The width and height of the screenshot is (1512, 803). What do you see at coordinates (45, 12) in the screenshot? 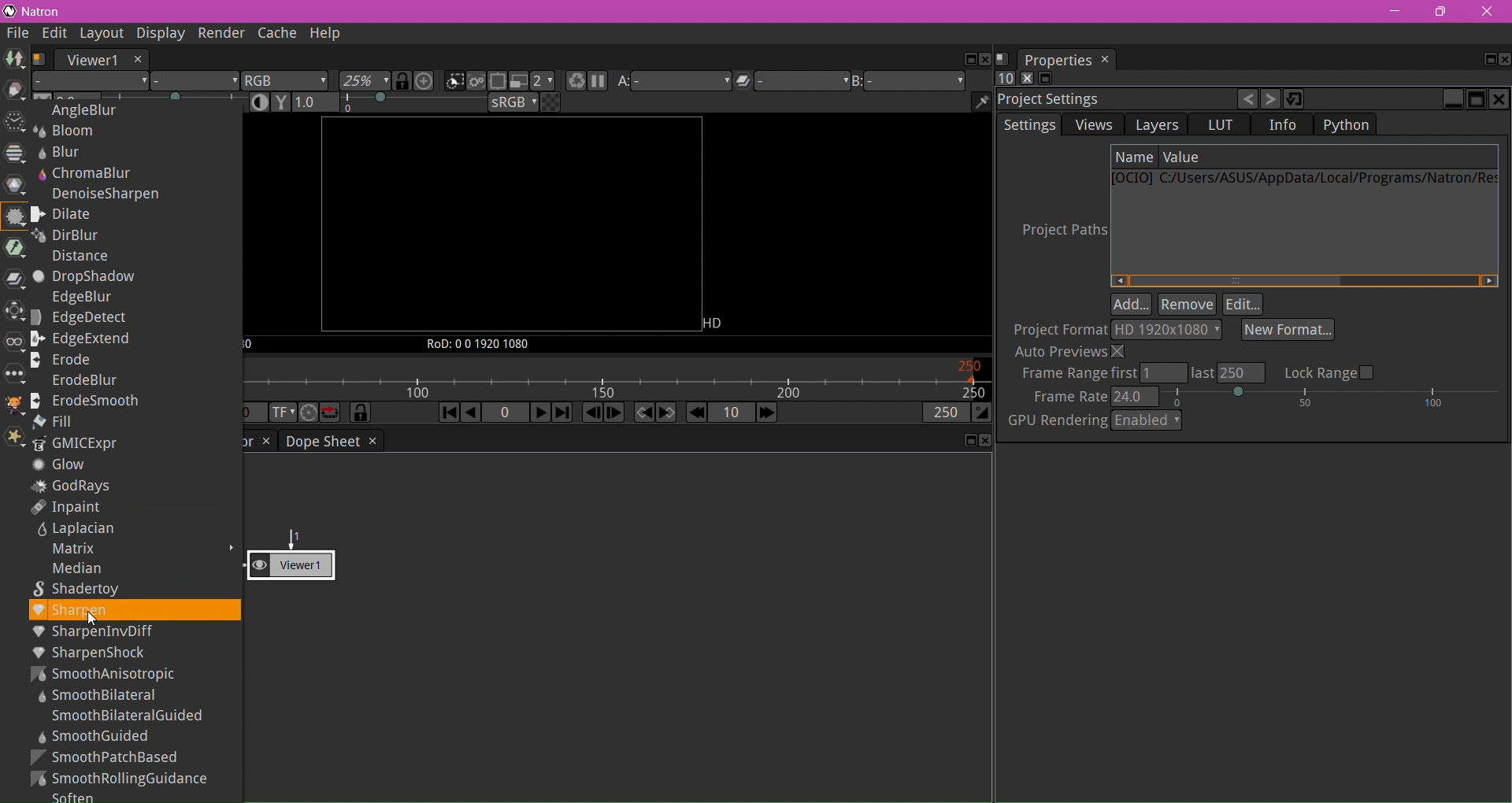
I see `Application Name` at bounding box center [45, 12].